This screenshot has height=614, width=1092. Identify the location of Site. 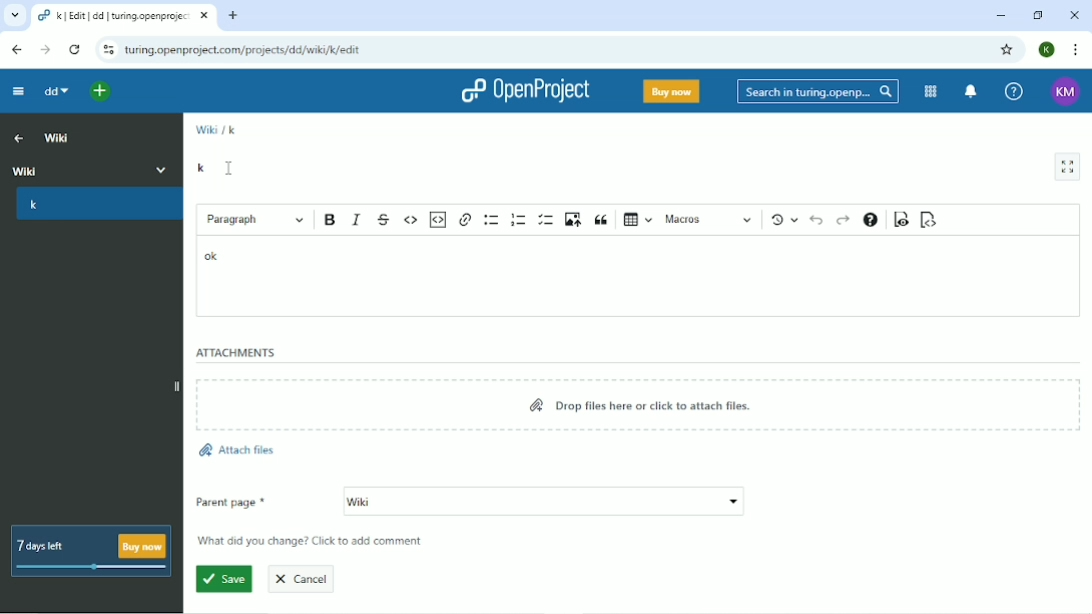
(247, 50).